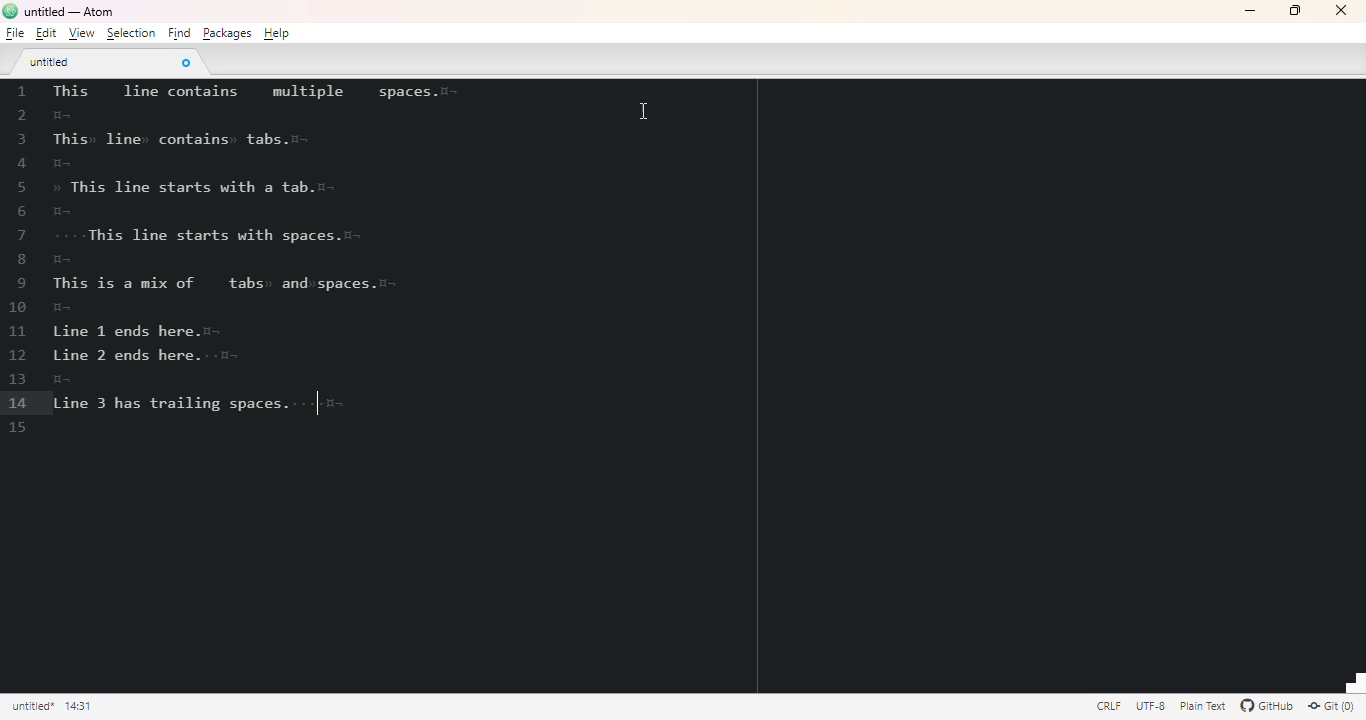  Describe the element at coordinates (15, 33) in the screenshot. I see `file` at that location.